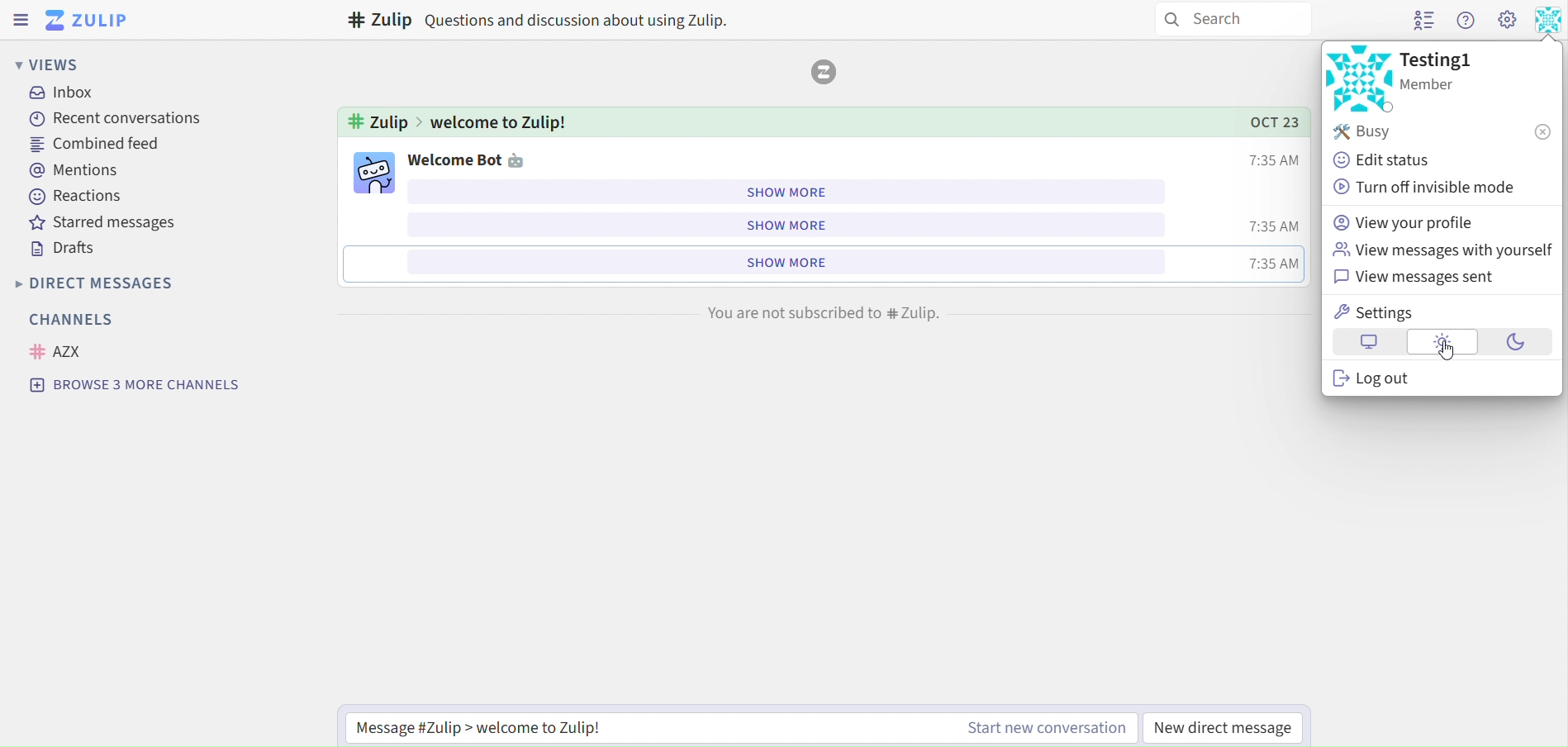 Image resolution: width=1568 pixels, height=747 pixels. I want to click on show more, so click(786, 263).